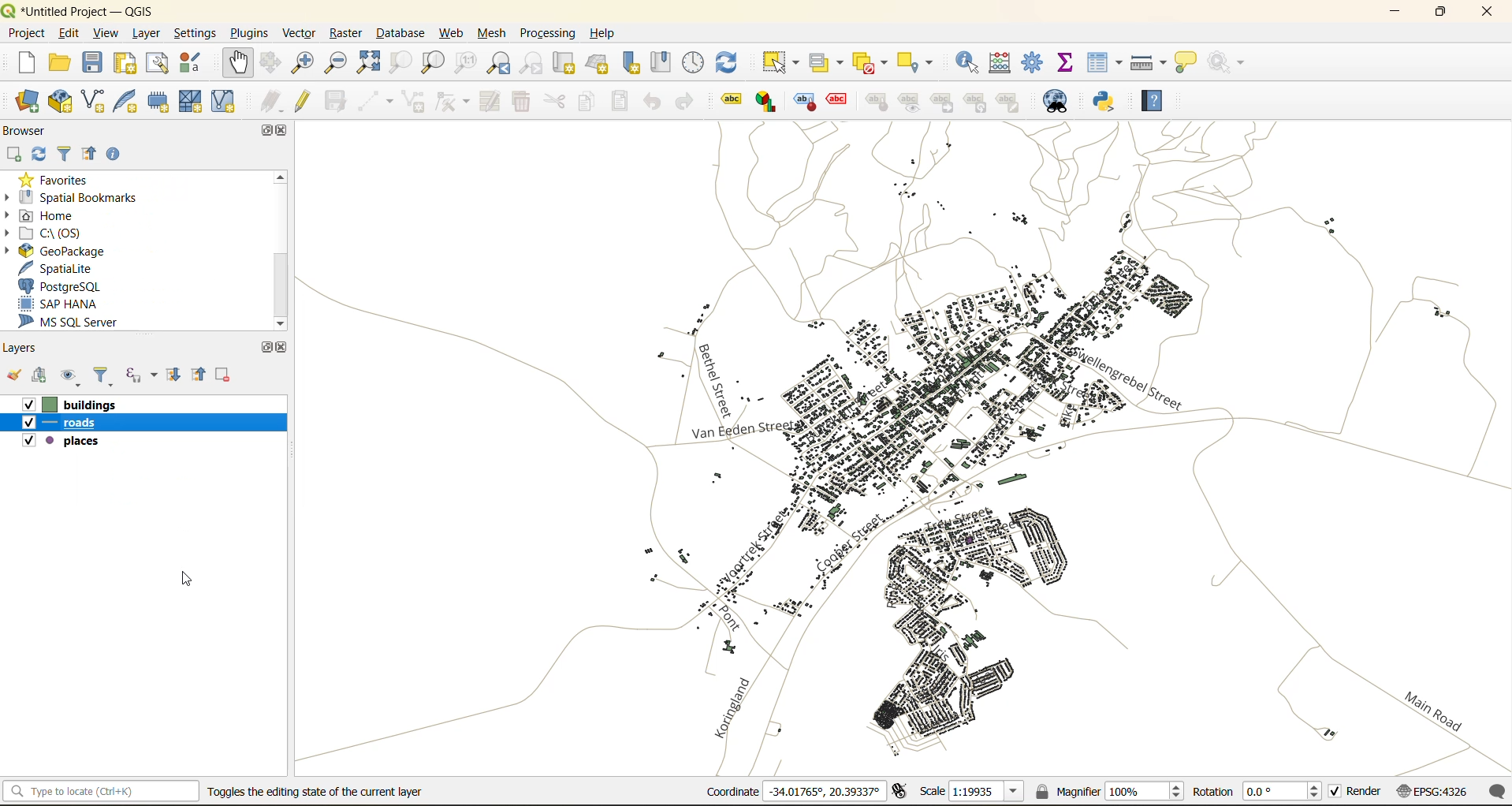 The height and width of the screenshot is (806, 1512). What do you see at coordinates (156, 66) in the screenshot?
I see `show layout` at bounding box center [156, 66].